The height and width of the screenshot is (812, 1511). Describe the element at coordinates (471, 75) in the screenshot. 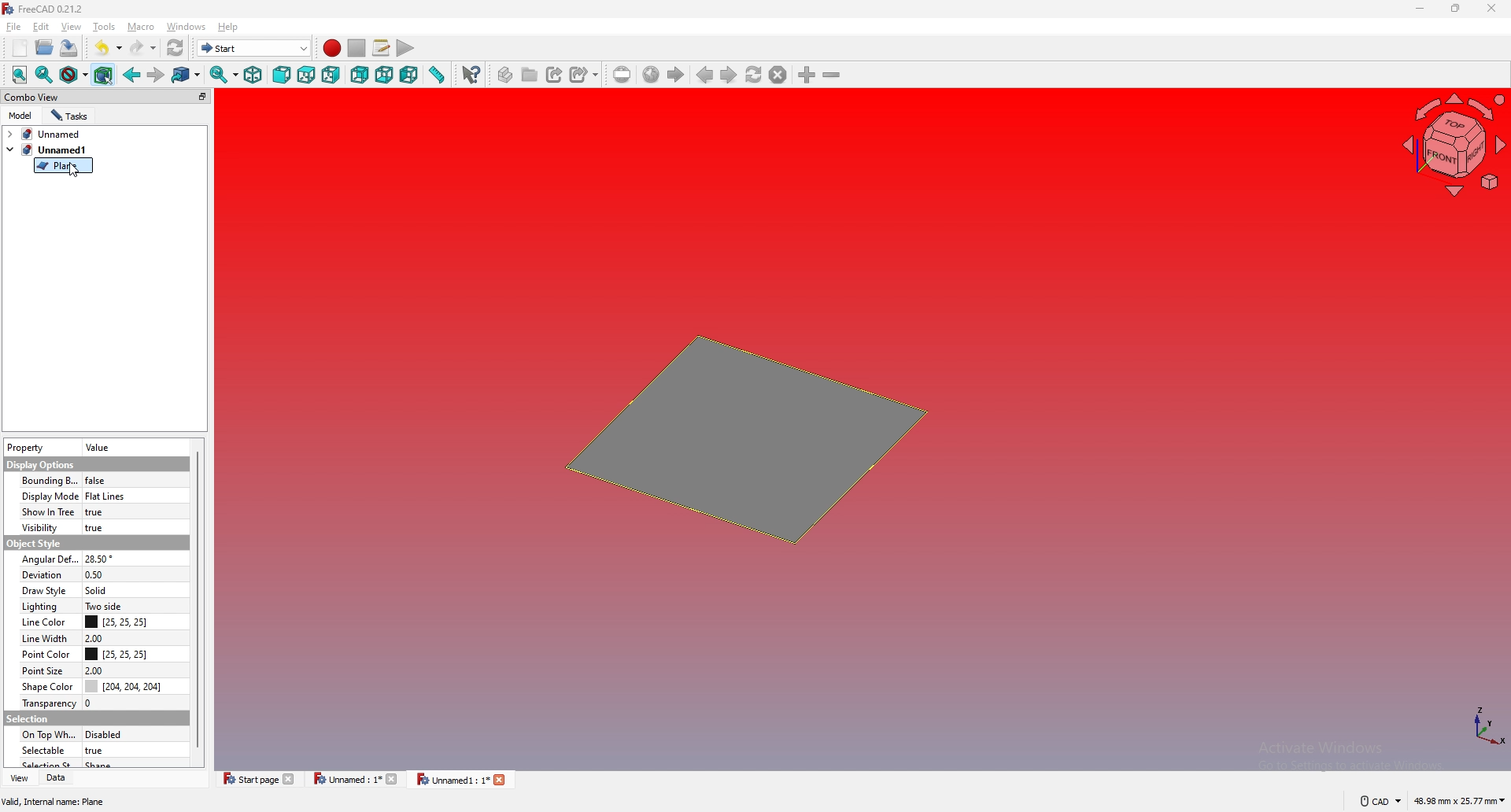

I see `whats this` at that location.